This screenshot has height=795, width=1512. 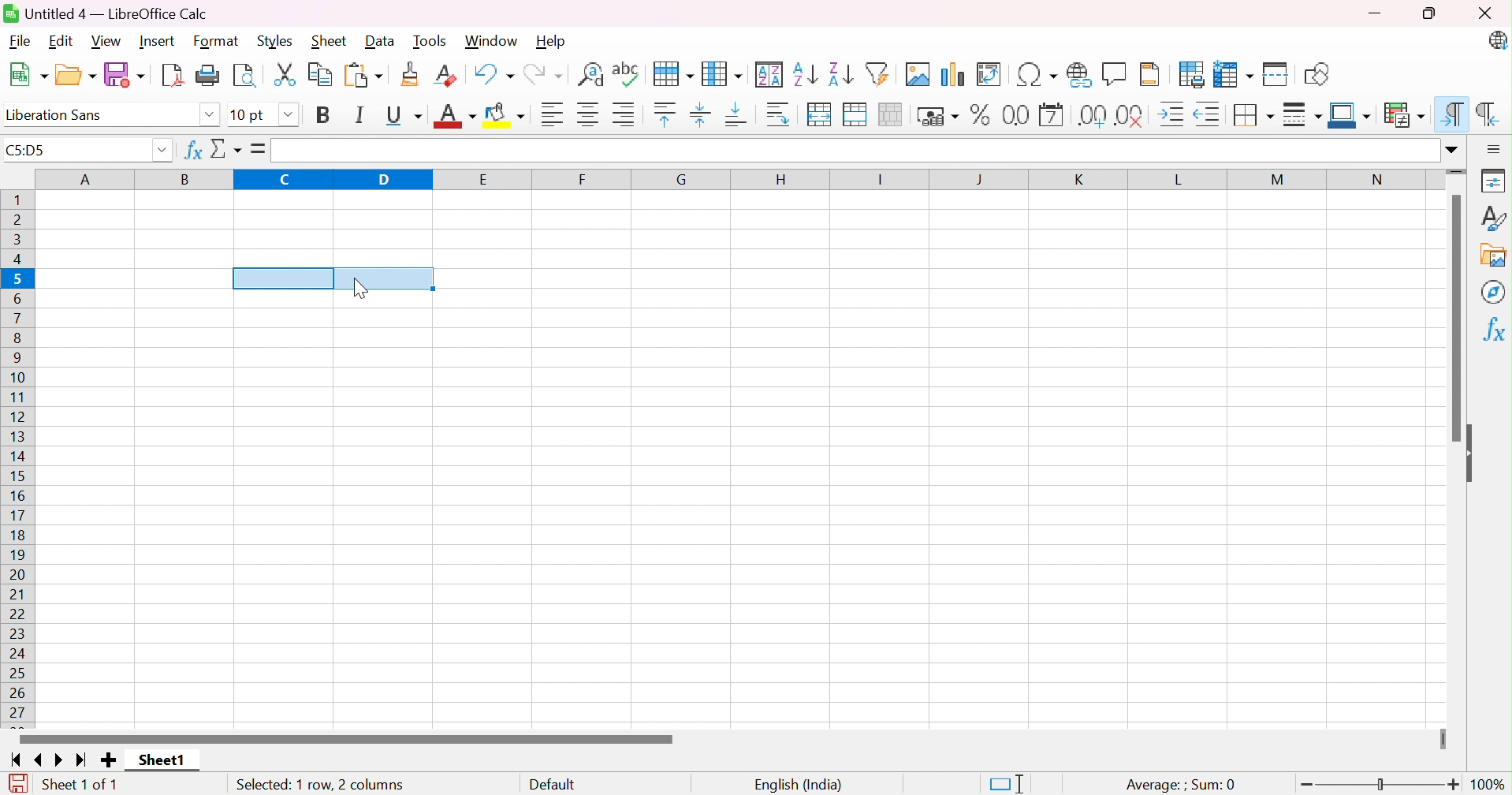 I want to click on C5:D5, so click(x=32, y=152).